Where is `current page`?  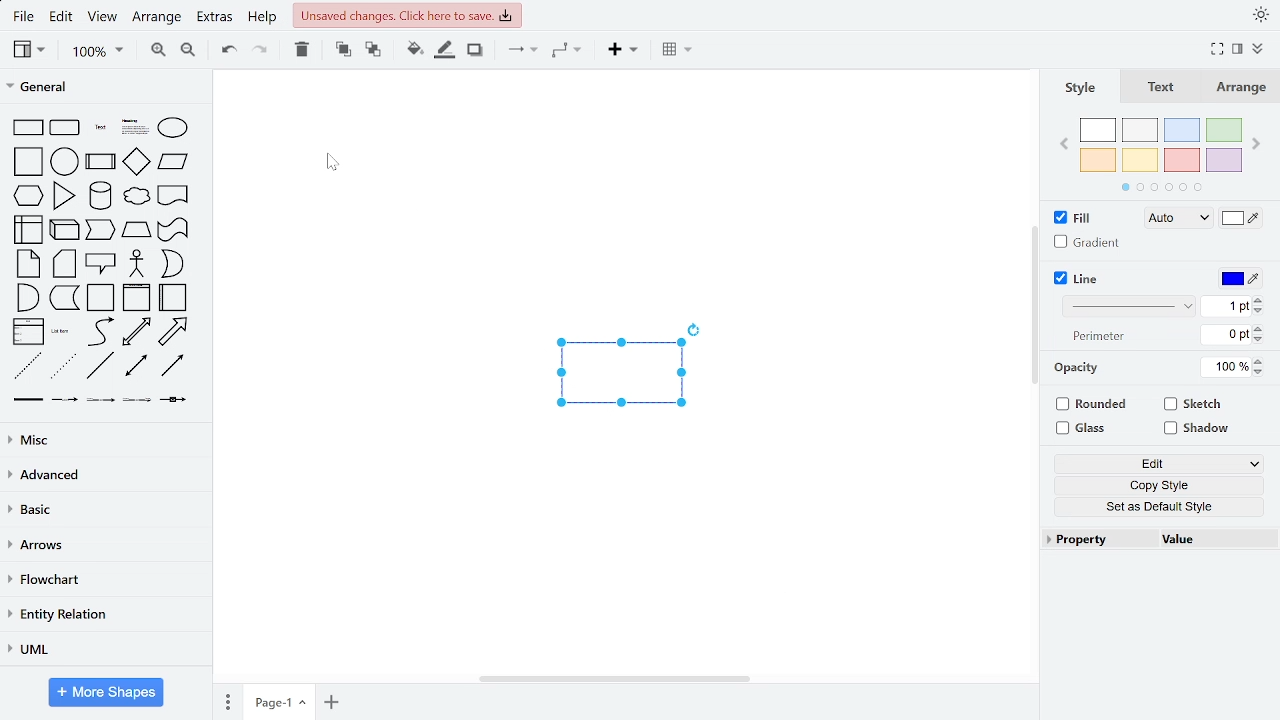 current page is located at coordinates (281, 703).